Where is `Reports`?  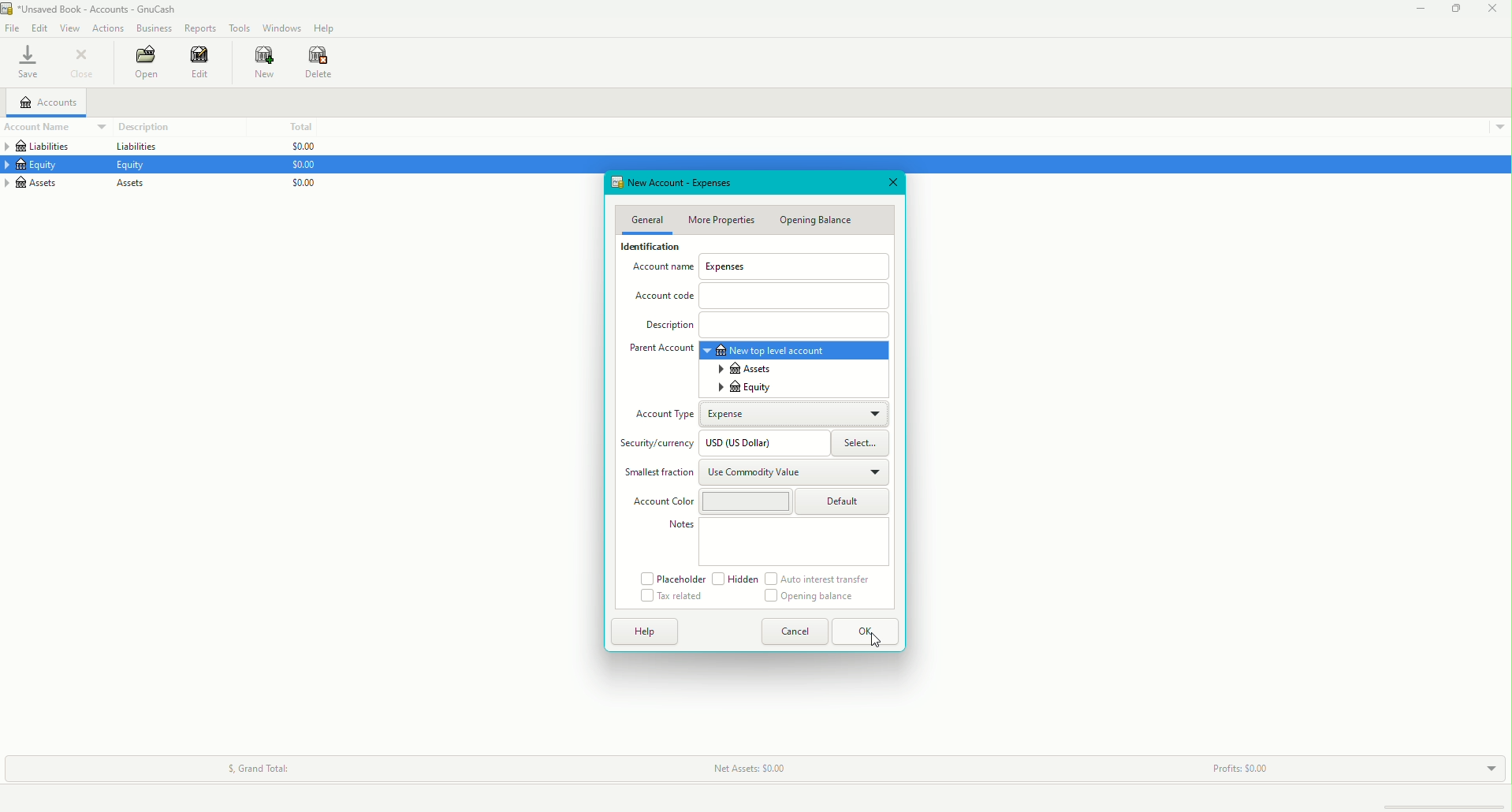
Reports is located at coordinates (199, 28).